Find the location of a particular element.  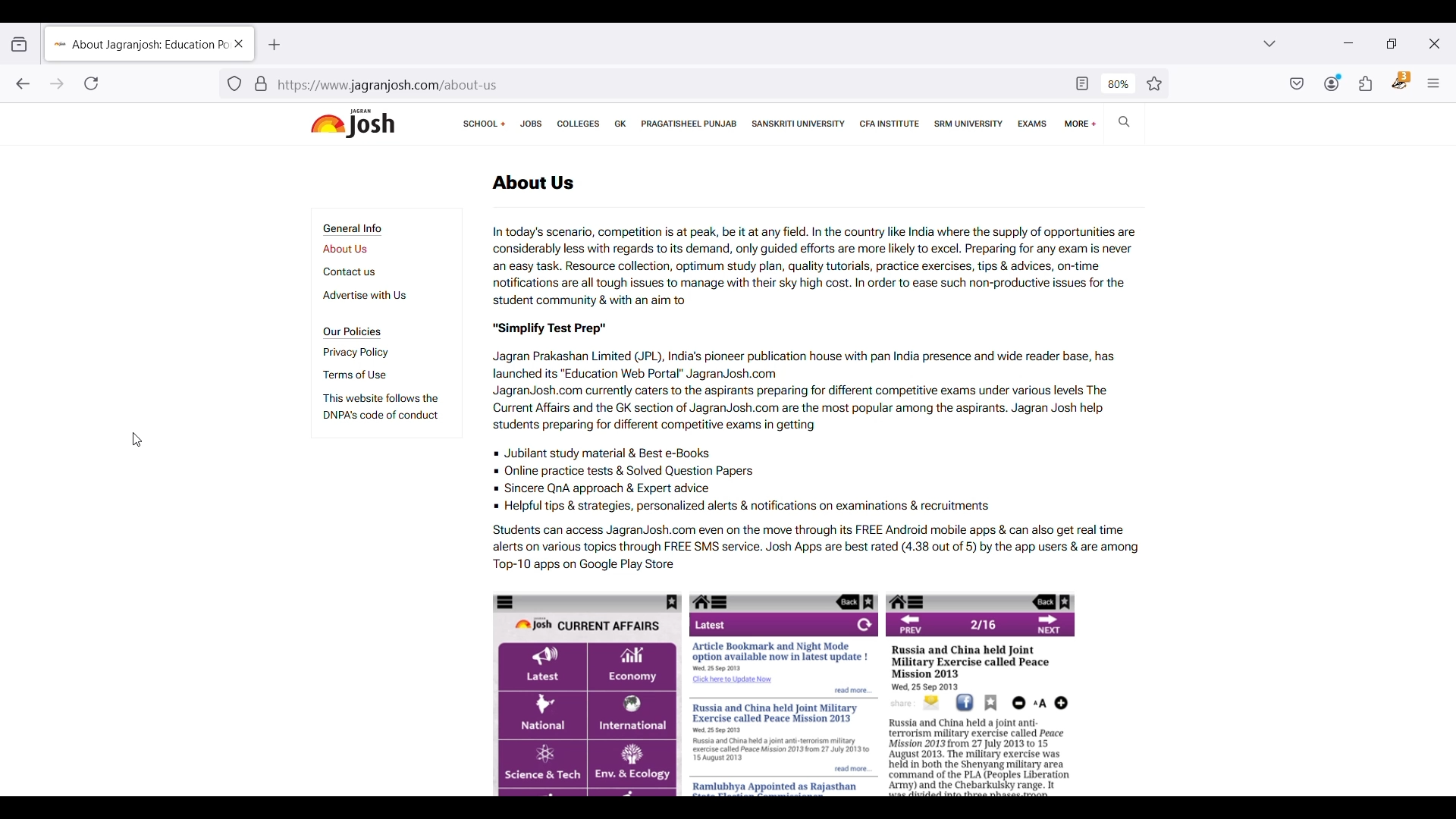

Section title - General Info is located at coordinates (352, 228).